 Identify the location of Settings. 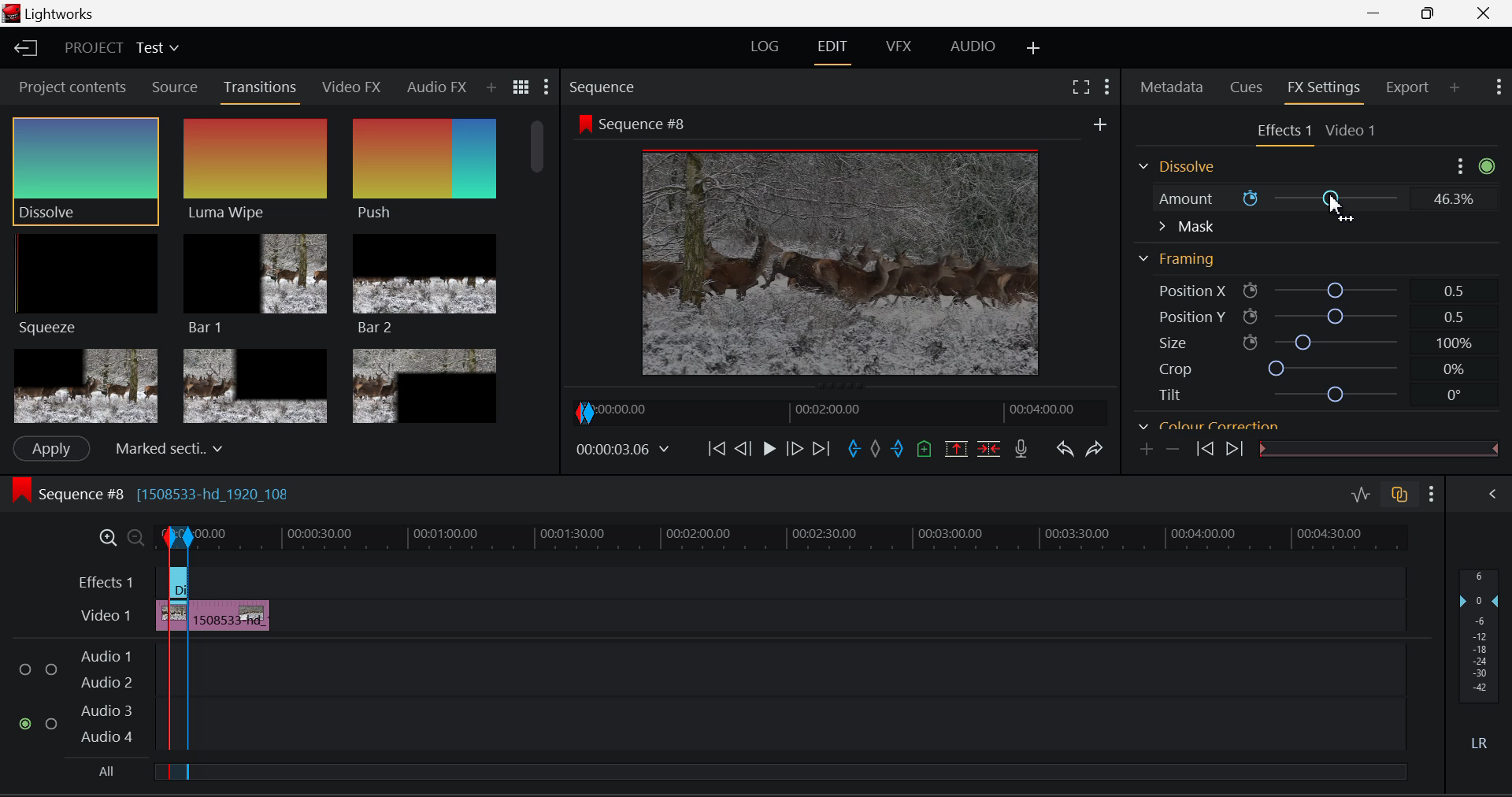
(1462, 165).